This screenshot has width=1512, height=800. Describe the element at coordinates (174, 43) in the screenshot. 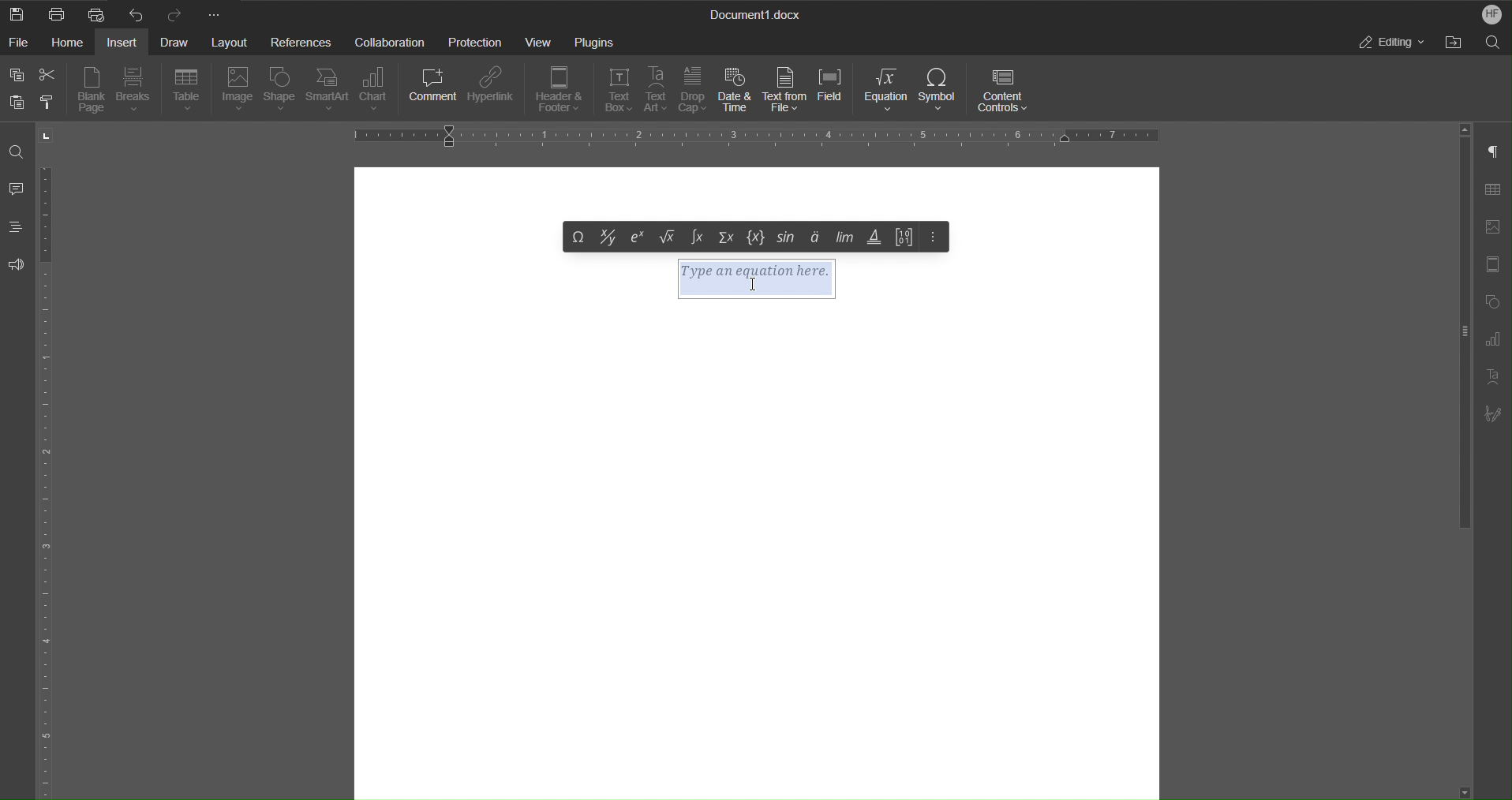

I see `Draw` at that location.